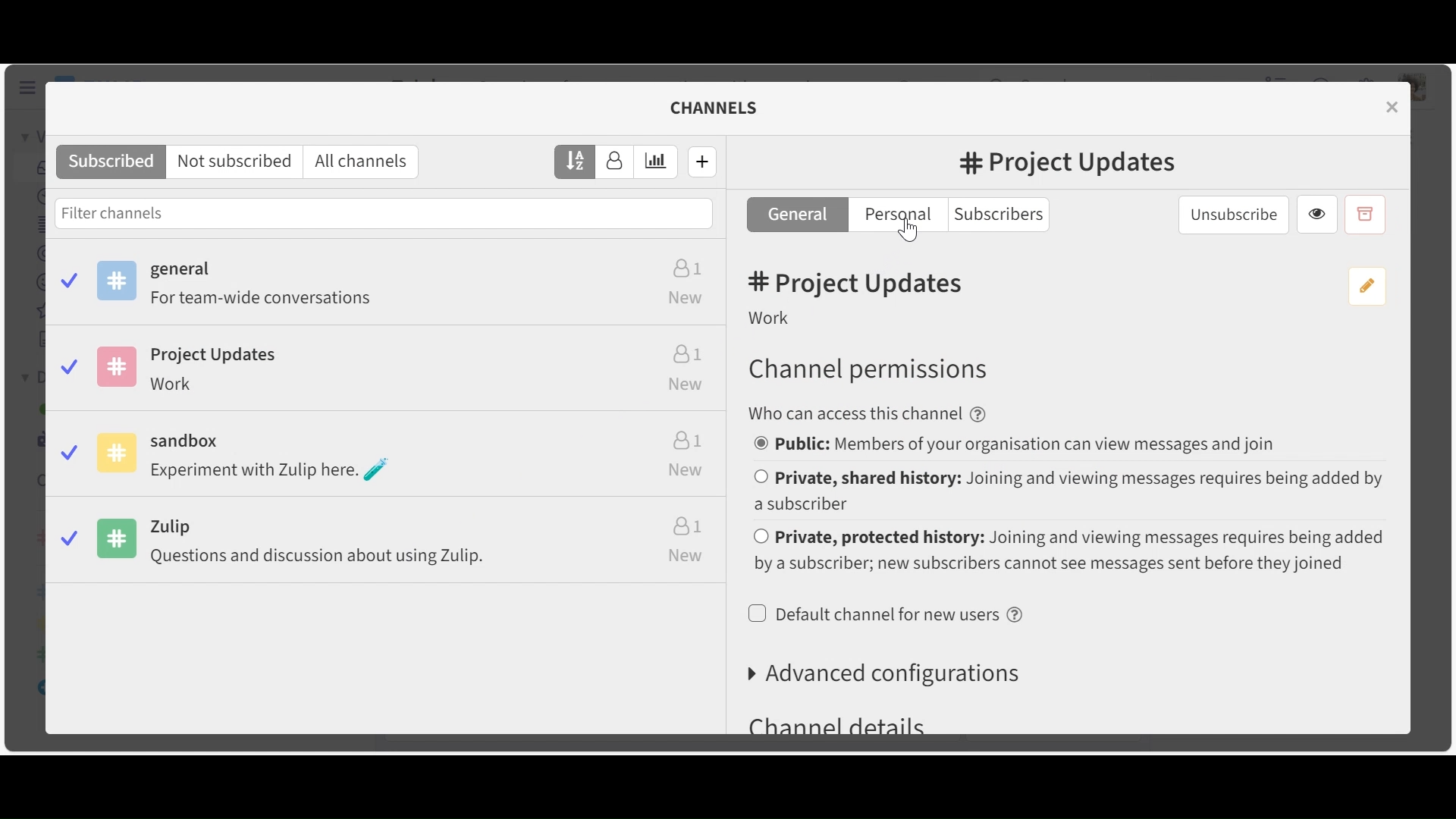 Image resolution: width=1456 pixels, height=819 pixels. Describe the element at coordinates (237, 162) in the screenshot. I see `Not subscribed` at that location.